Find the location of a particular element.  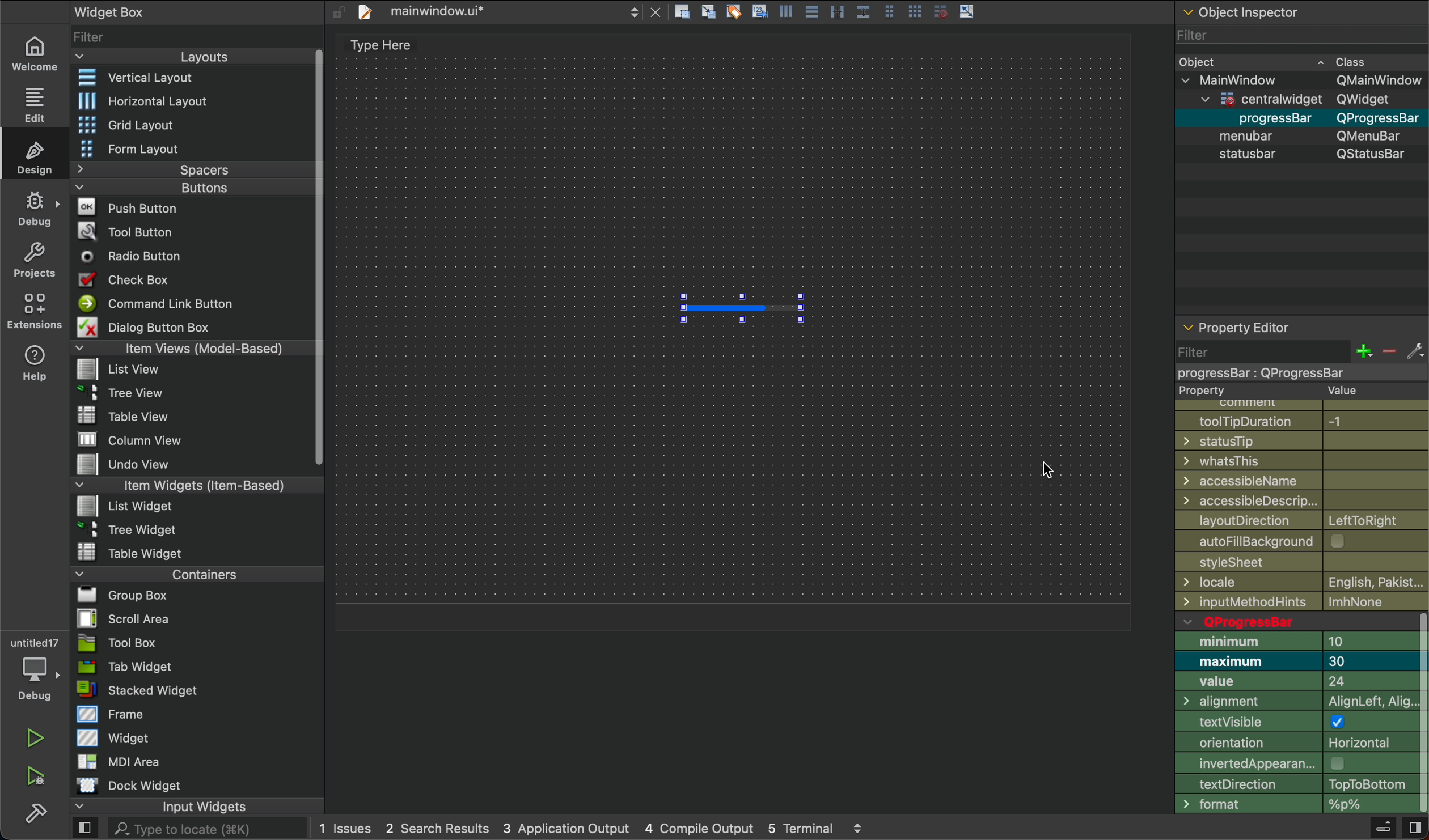

vertical scrollbar is located at coordinates (1420, 714).